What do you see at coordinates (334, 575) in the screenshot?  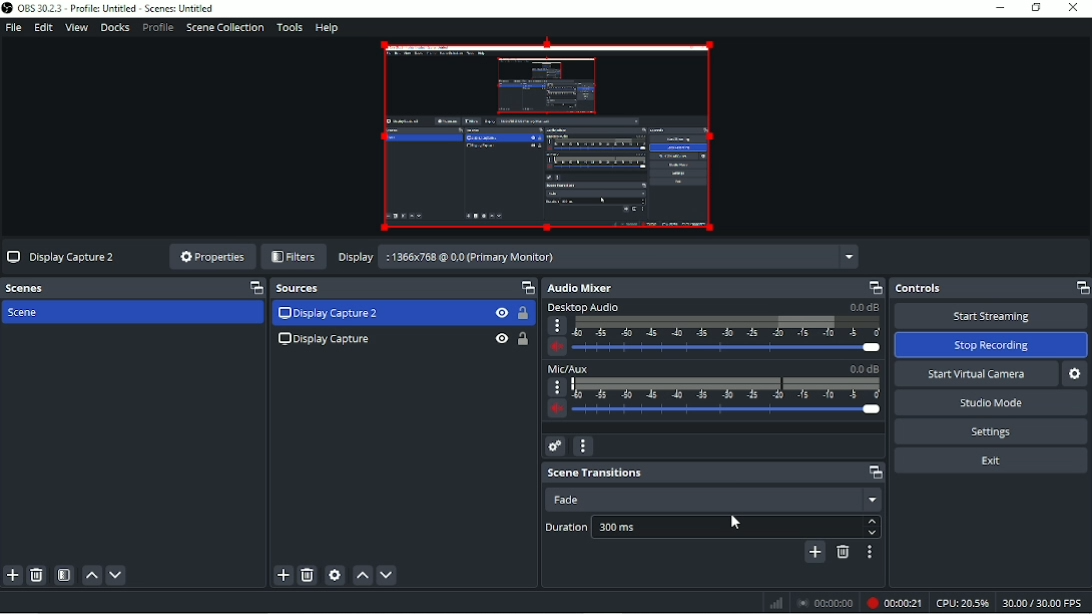 I see `Open source properties` at bounding box center [334, 575].